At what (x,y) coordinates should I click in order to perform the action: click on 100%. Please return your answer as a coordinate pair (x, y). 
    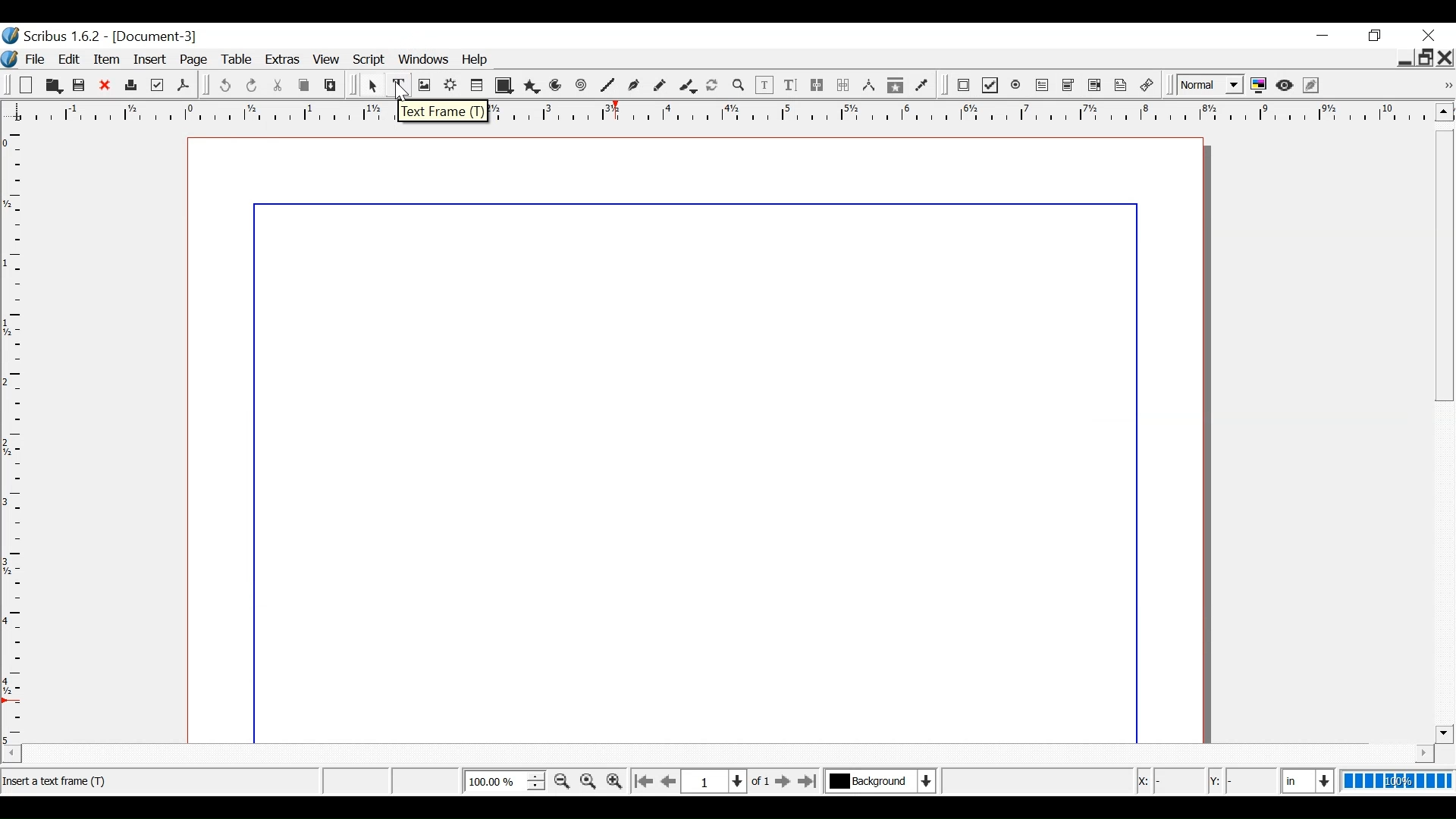
    Looking at the image, I should click on (1395, 781).